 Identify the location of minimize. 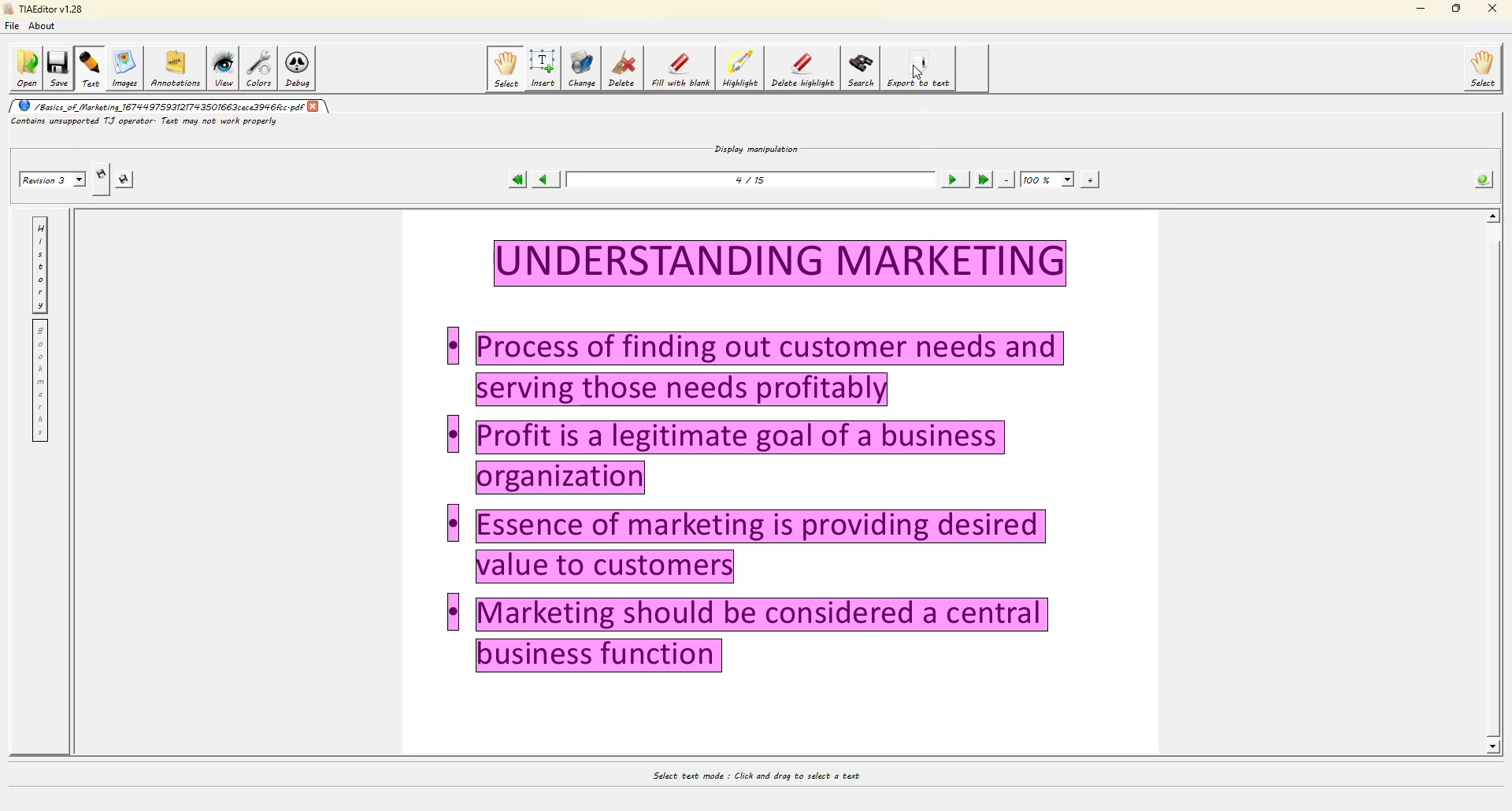
(1417, 8).